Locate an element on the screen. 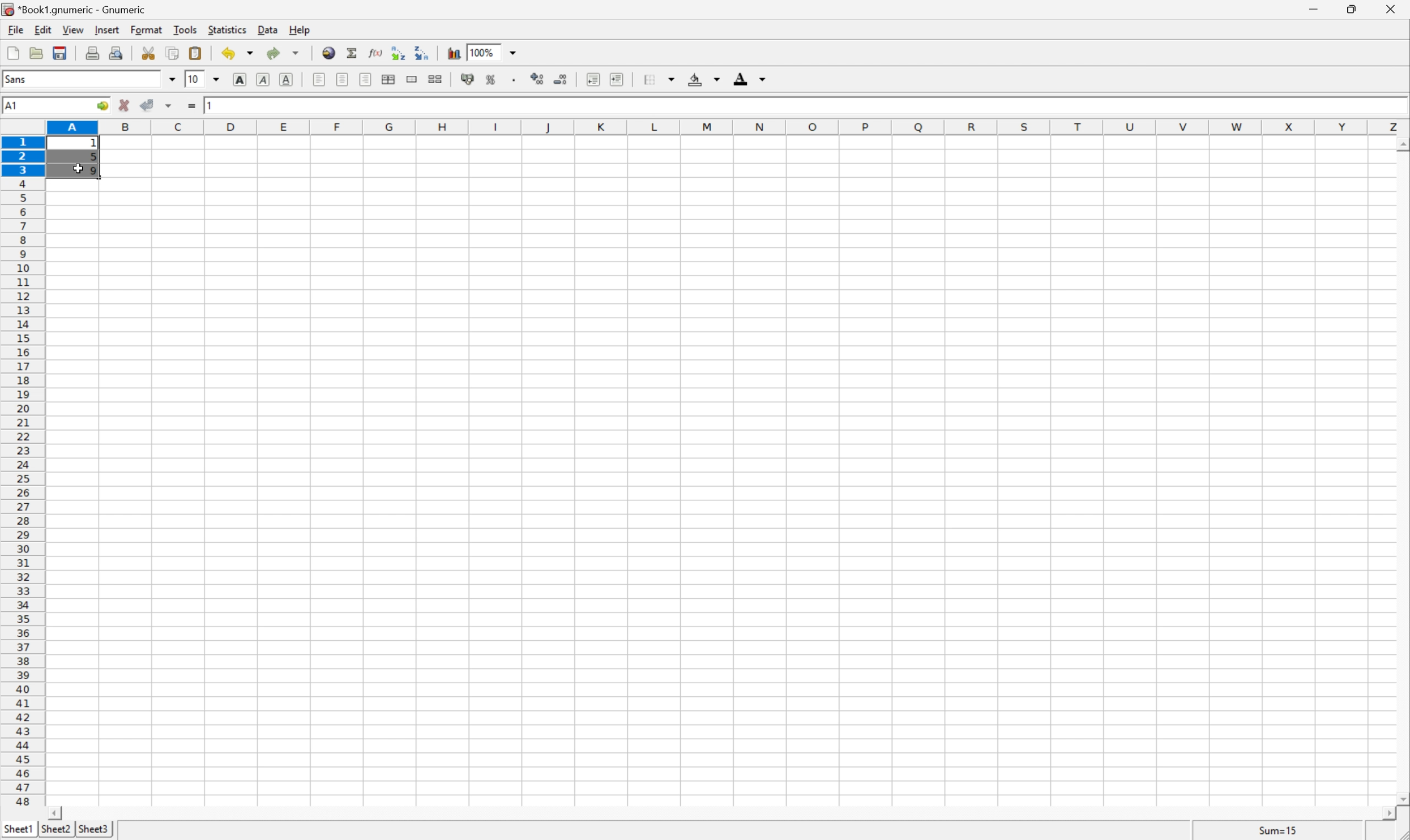 The width and height of the screenshot is (1410, 840). scroll up is located at coordinates (1401, 145).